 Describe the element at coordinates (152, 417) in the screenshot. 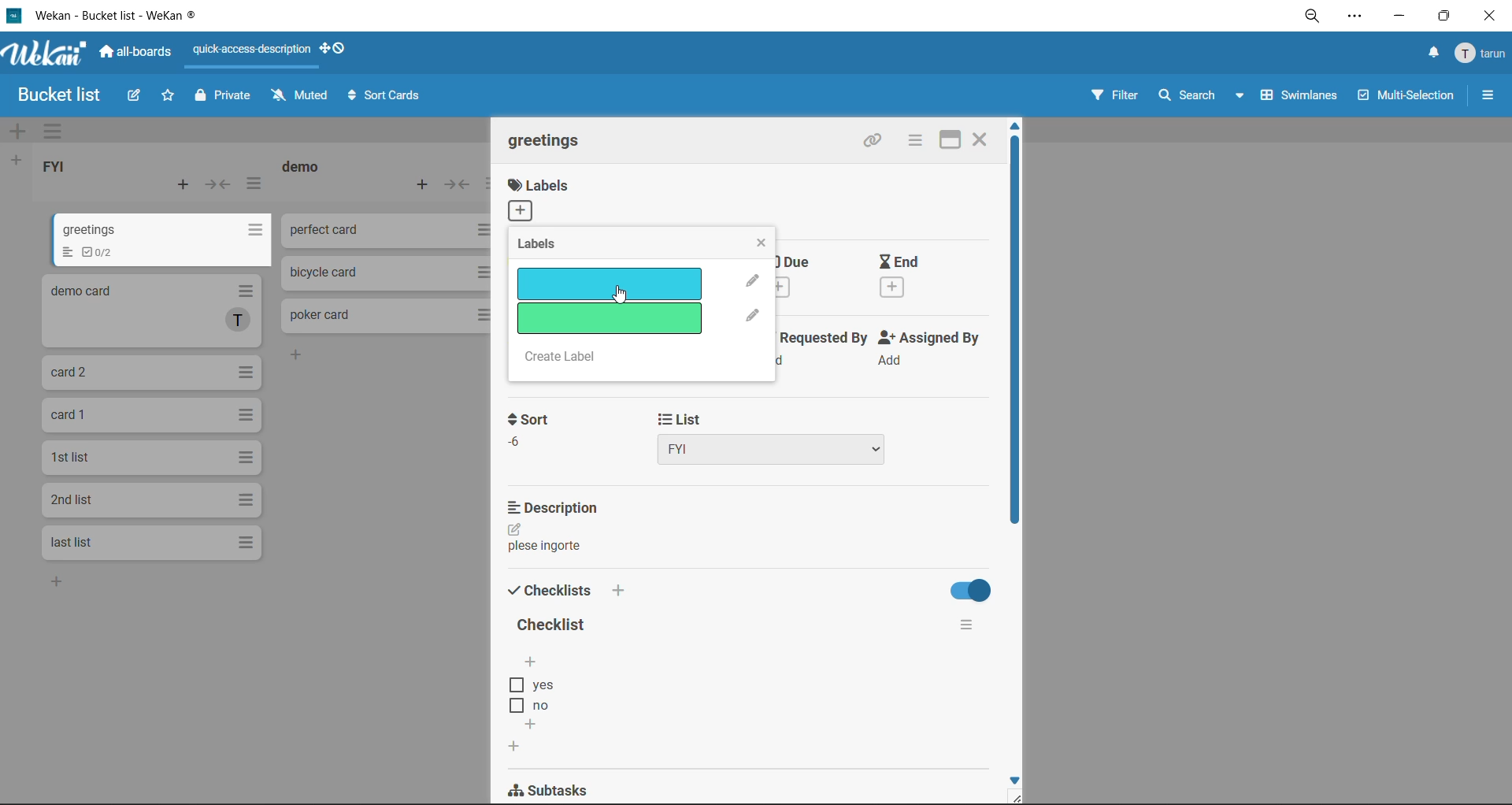

I see `card 4` at that location.